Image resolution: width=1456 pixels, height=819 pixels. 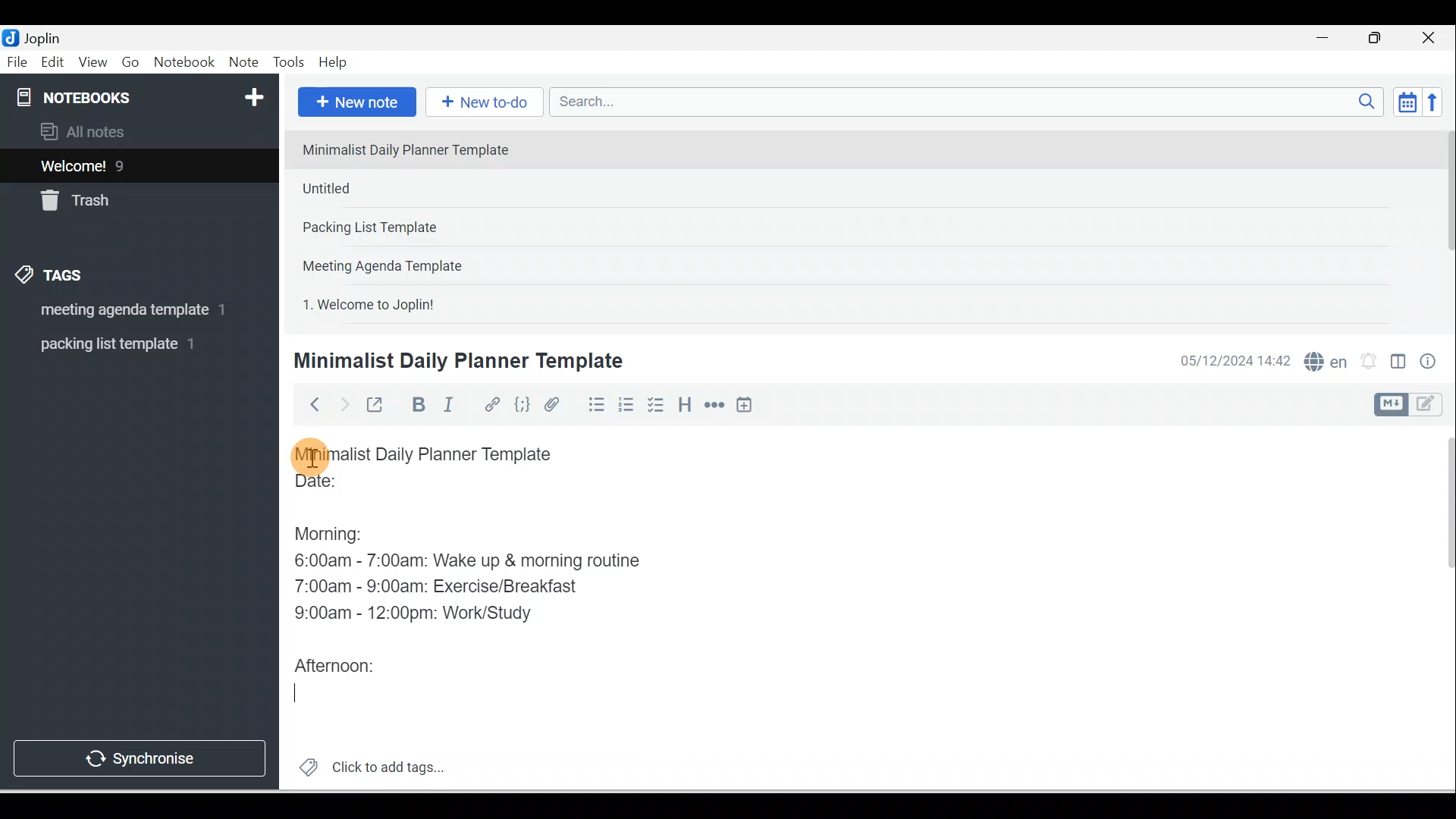 I want to click on Trash, so click(x=111, y=196).